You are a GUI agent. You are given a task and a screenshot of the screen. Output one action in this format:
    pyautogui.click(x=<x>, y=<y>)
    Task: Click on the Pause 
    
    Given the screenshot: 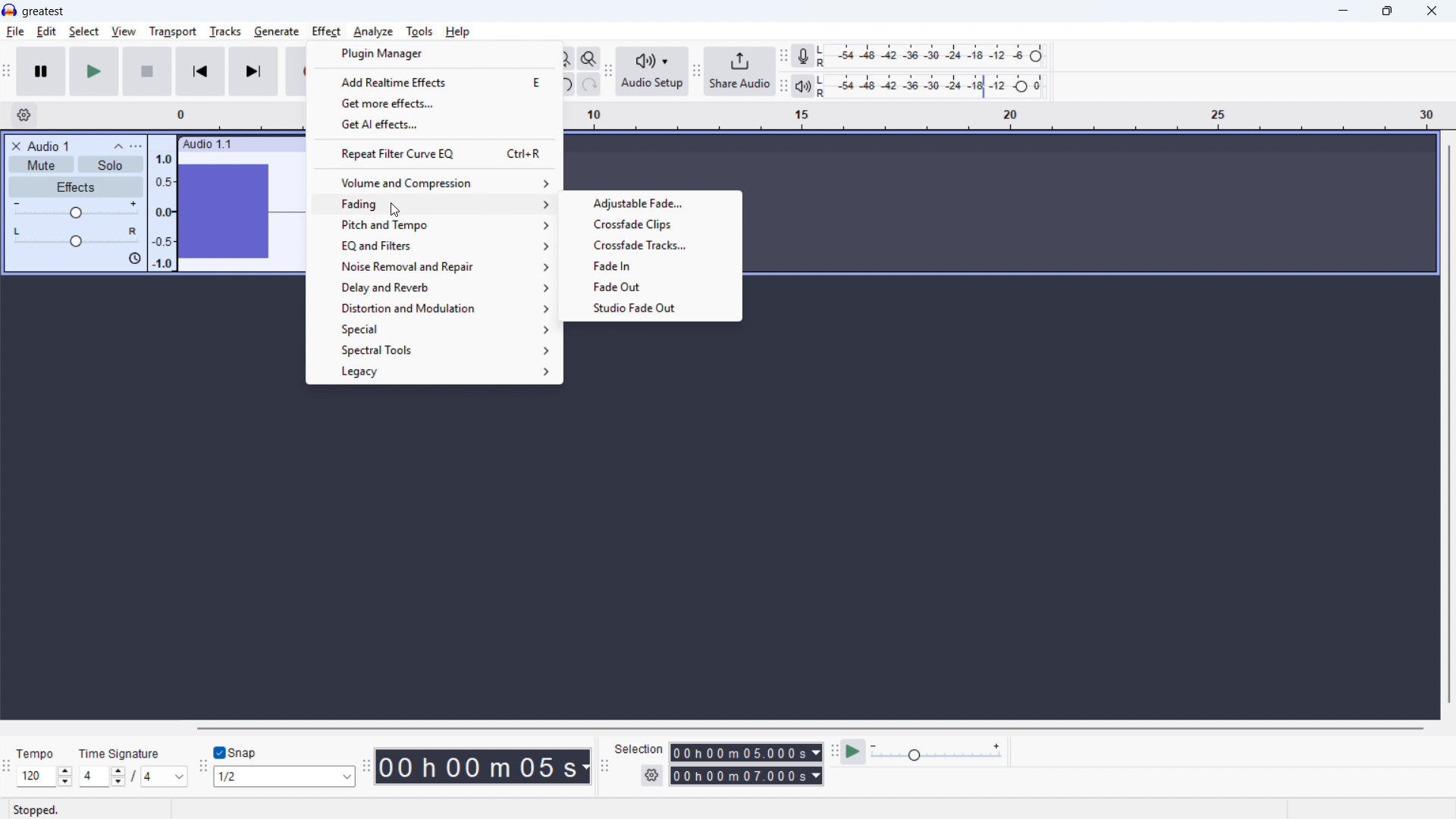 What is the action you would take?
    pyautogui.click(x=41, y=71)
    